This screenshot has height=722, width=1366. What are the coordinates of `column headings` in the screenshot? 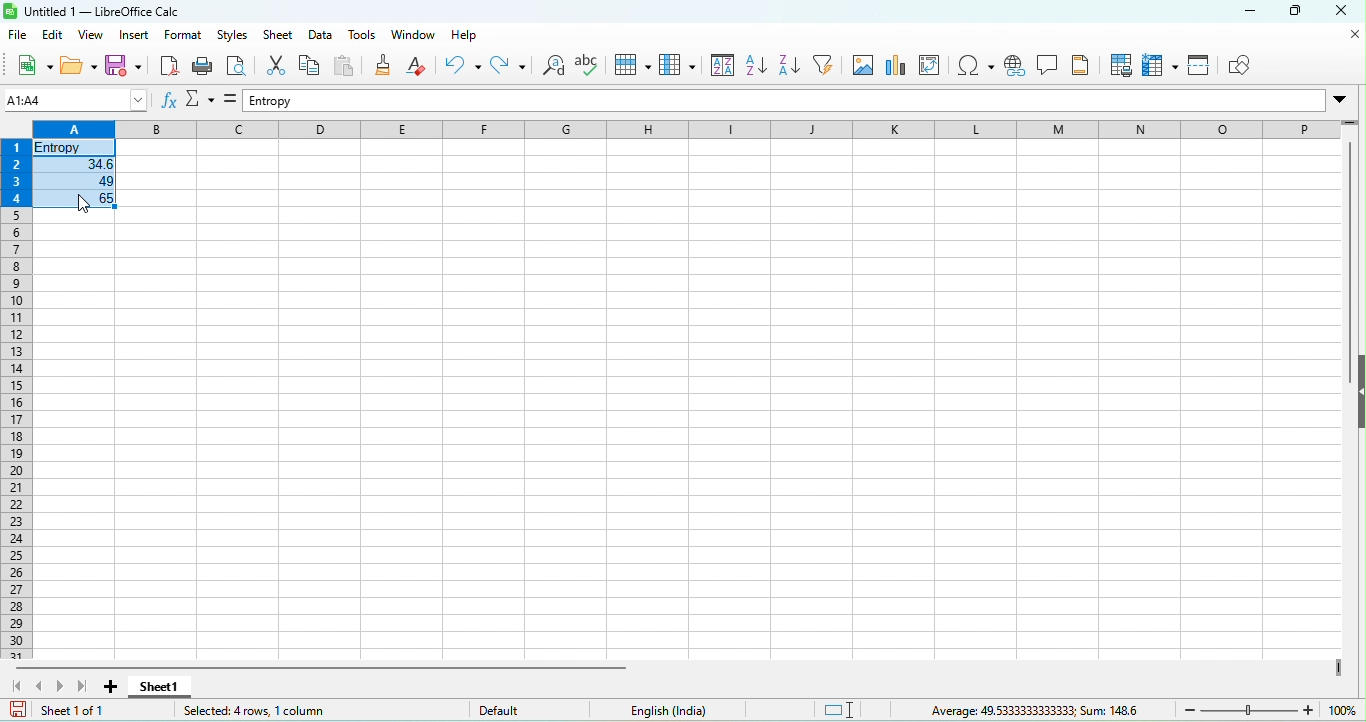 It's located at (687, 130).